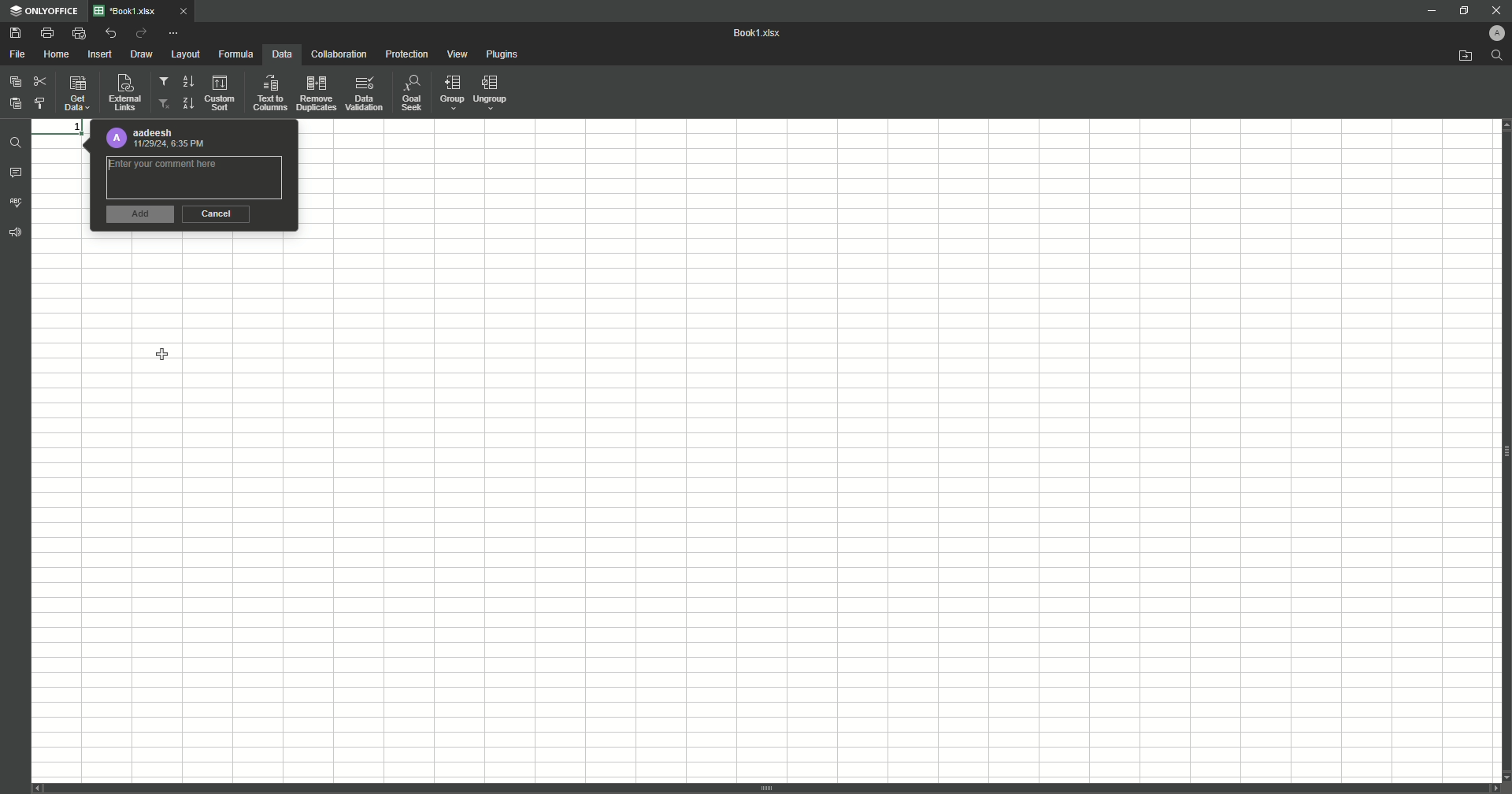 This screenshot has width=1512, height=794. I want to click on Get Data, so click(76, 95).